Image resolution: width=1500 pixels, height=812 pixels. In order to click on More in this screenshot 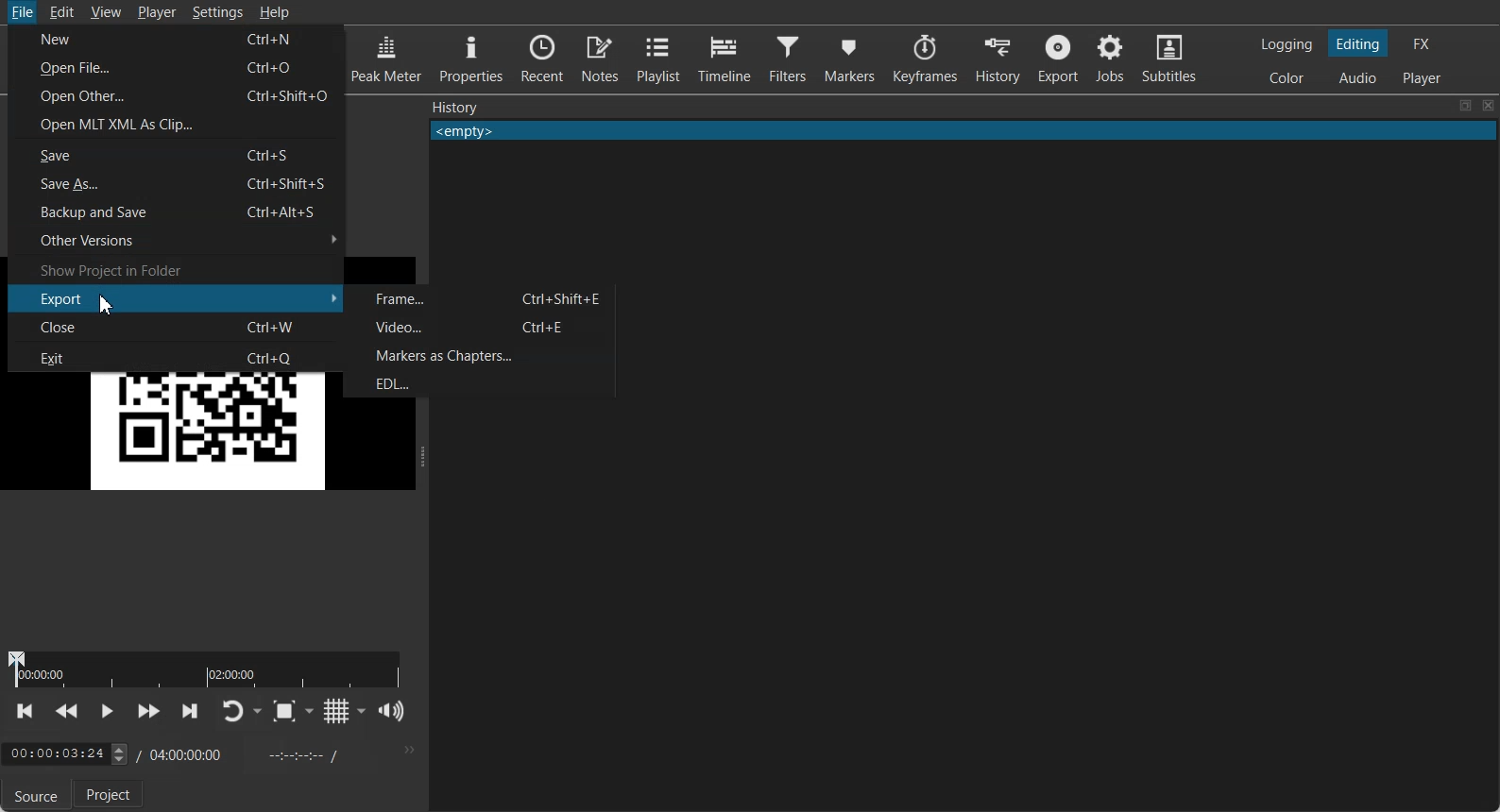, I will do `click(407, 750)`.